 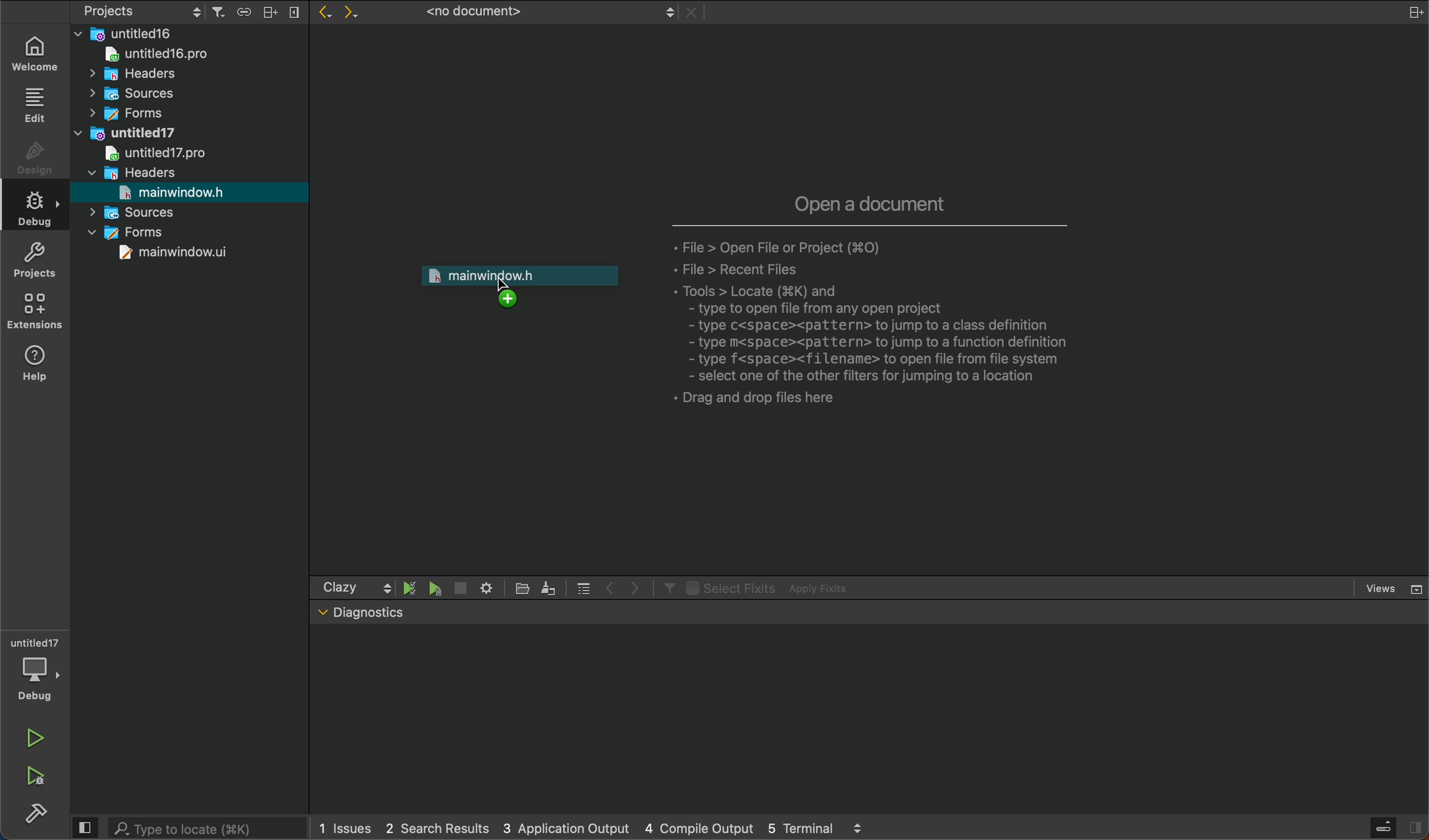 I want to click on 5 Terminal, so click(x=800, y=826).